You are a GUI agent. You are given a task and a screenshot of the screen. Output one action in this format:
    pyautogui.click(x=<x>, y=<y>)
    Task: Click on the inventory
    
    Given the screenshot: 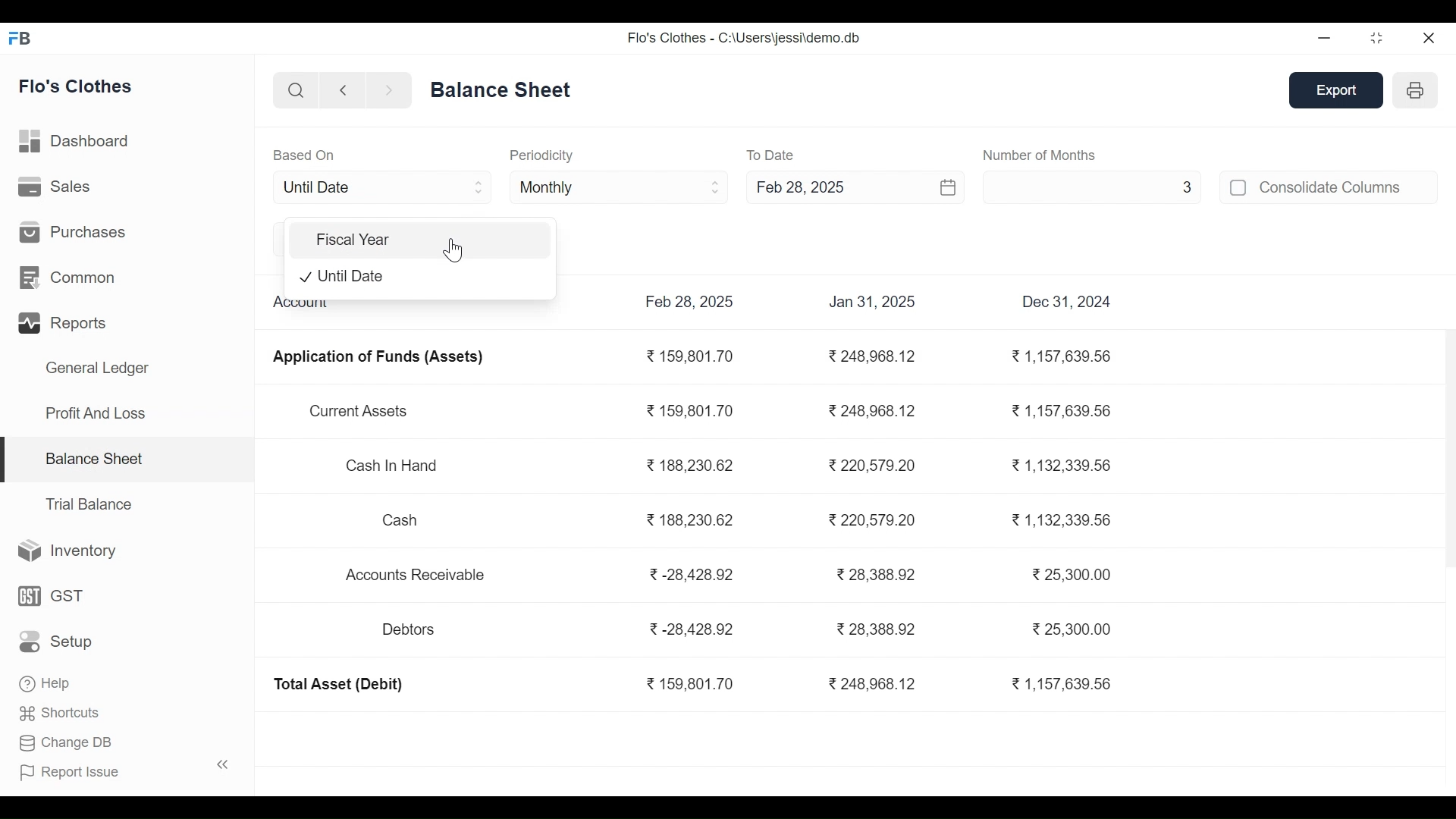 What is the action you would take?
    pyautogui.click(x=68, y=551)
    